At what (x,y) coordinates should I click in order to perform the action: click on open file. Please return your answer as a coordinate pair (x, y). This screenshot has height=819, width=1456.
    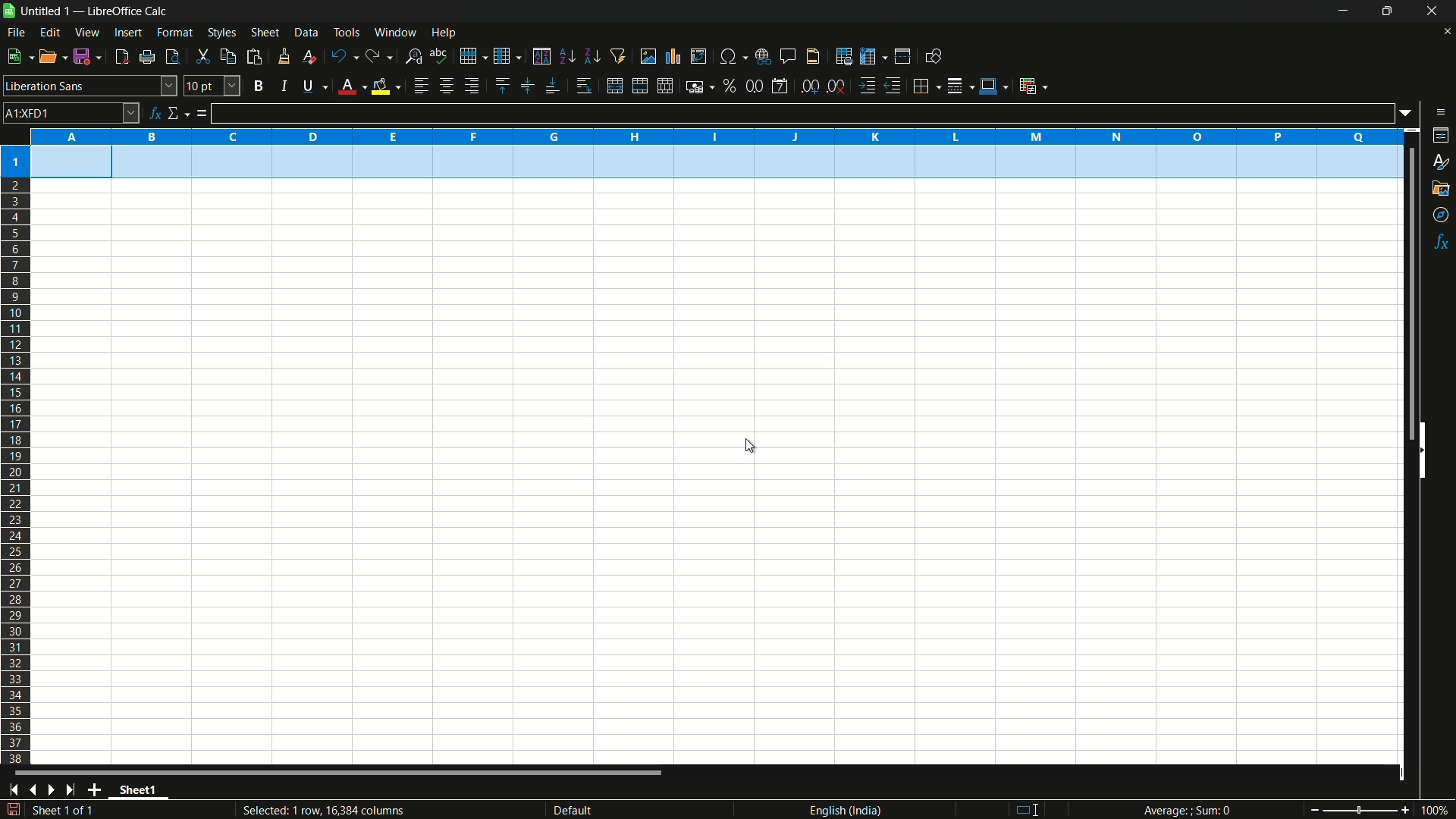
    Looking at the image, I should click on (54, 57).